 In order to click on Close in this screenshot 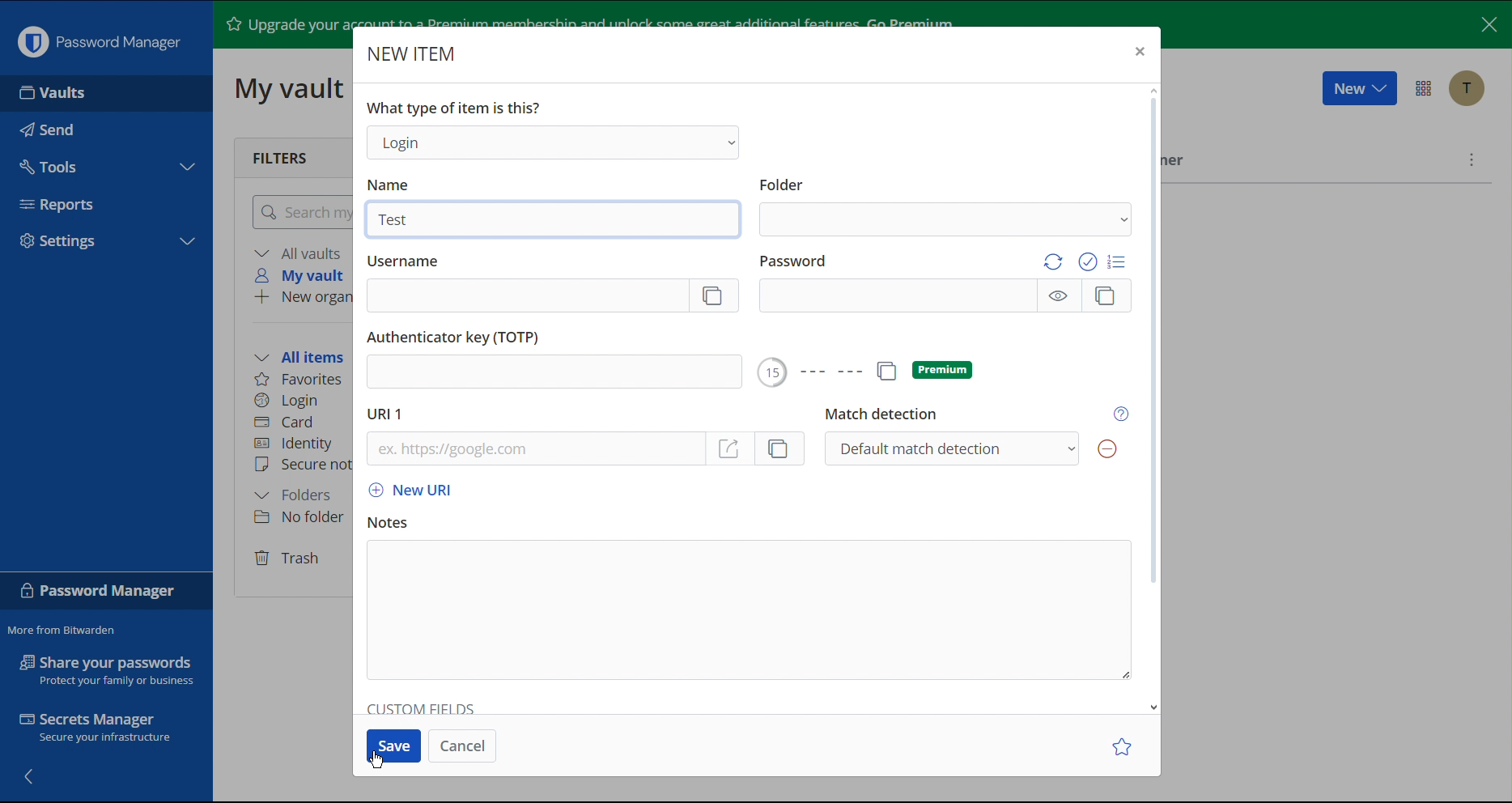, I will do `click(1486, 23)`.